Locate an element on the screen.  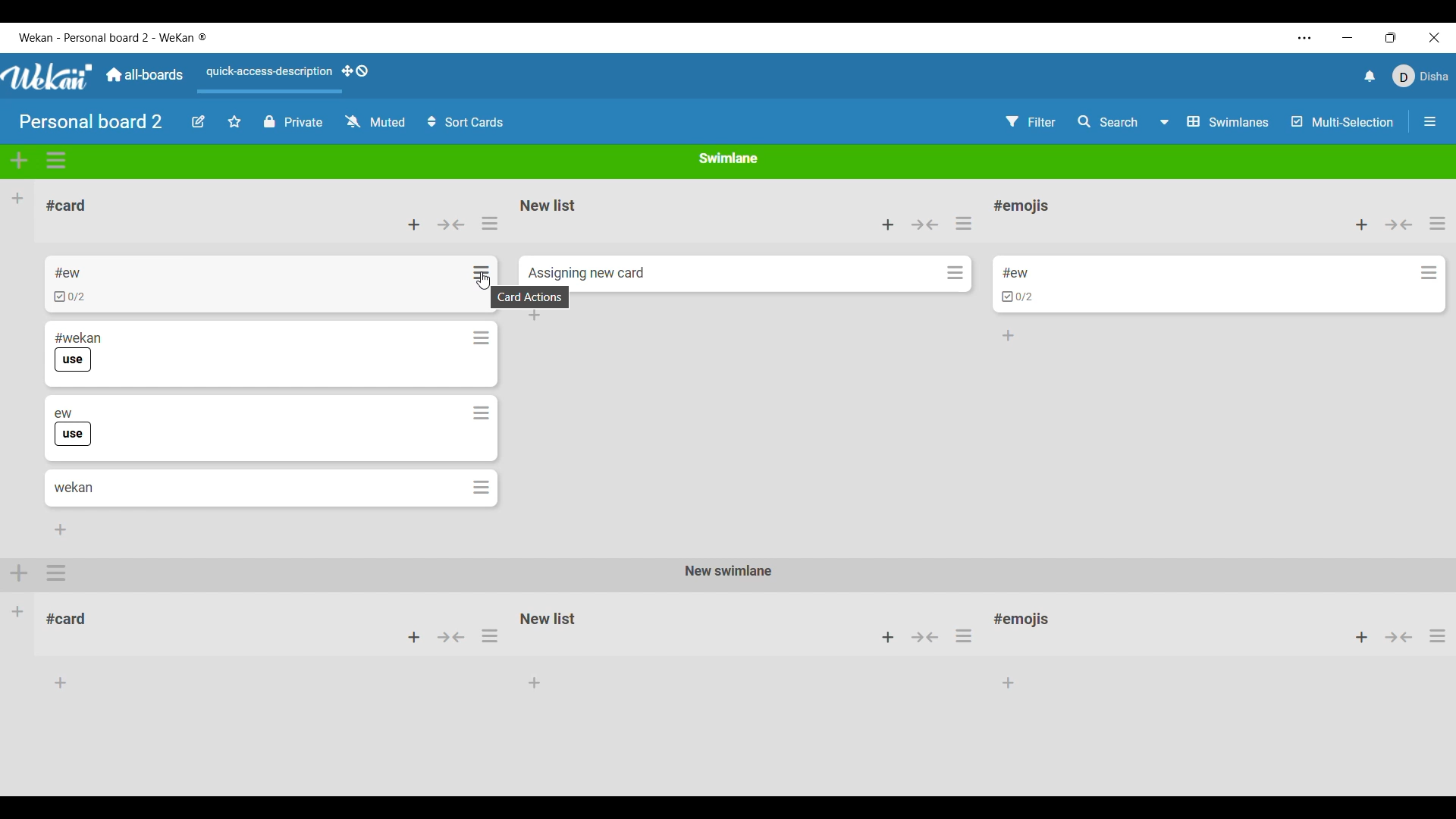
Card actions is located at coordinates (1429, 273).